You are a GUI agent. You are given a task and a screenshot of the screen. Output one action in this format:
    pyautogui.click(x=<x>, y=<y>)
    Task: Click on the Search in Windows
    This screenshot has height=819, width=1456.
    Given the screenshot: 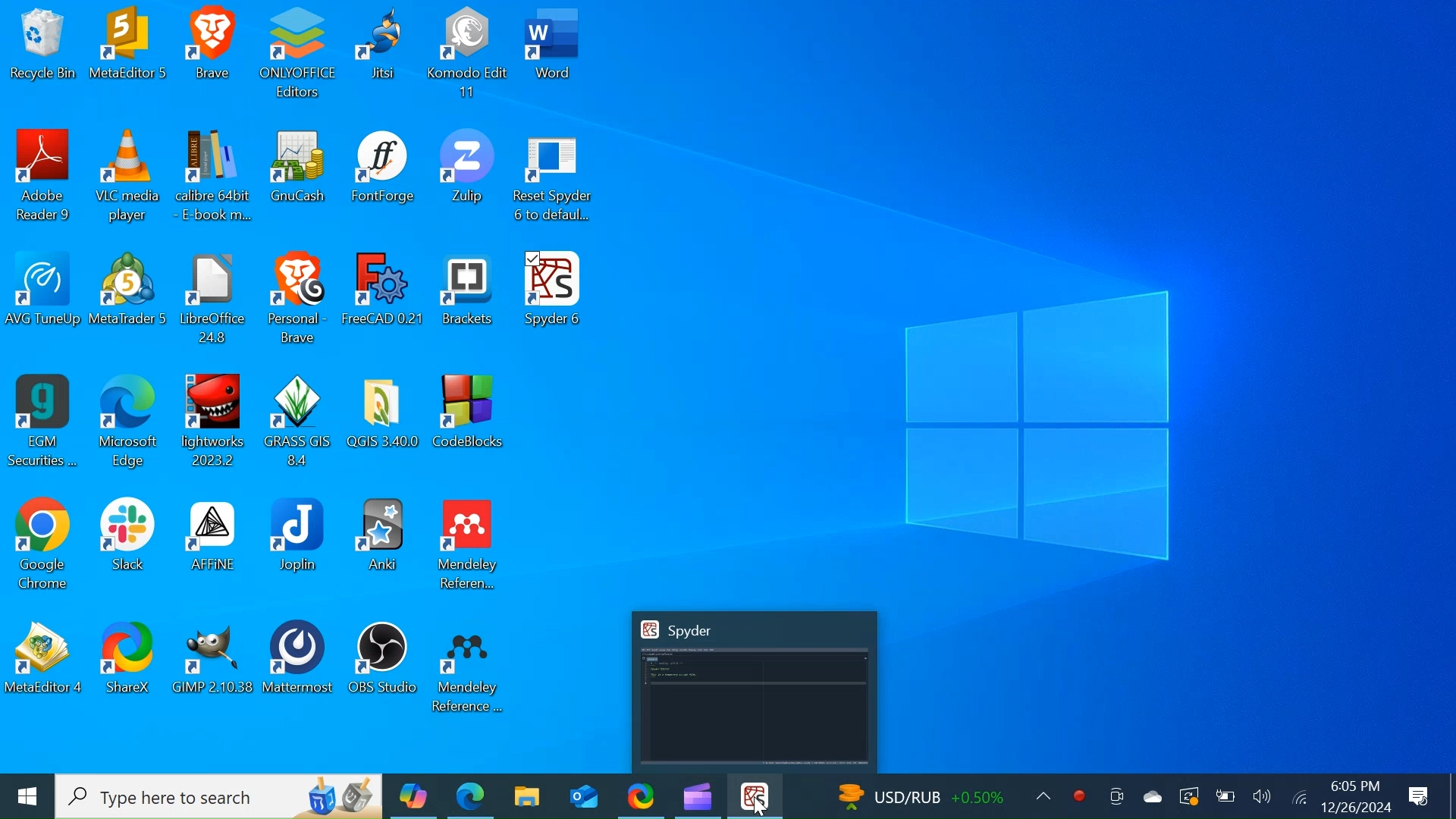 What is the action you would take?
    pyautogui.click(x=219, y=797)
    